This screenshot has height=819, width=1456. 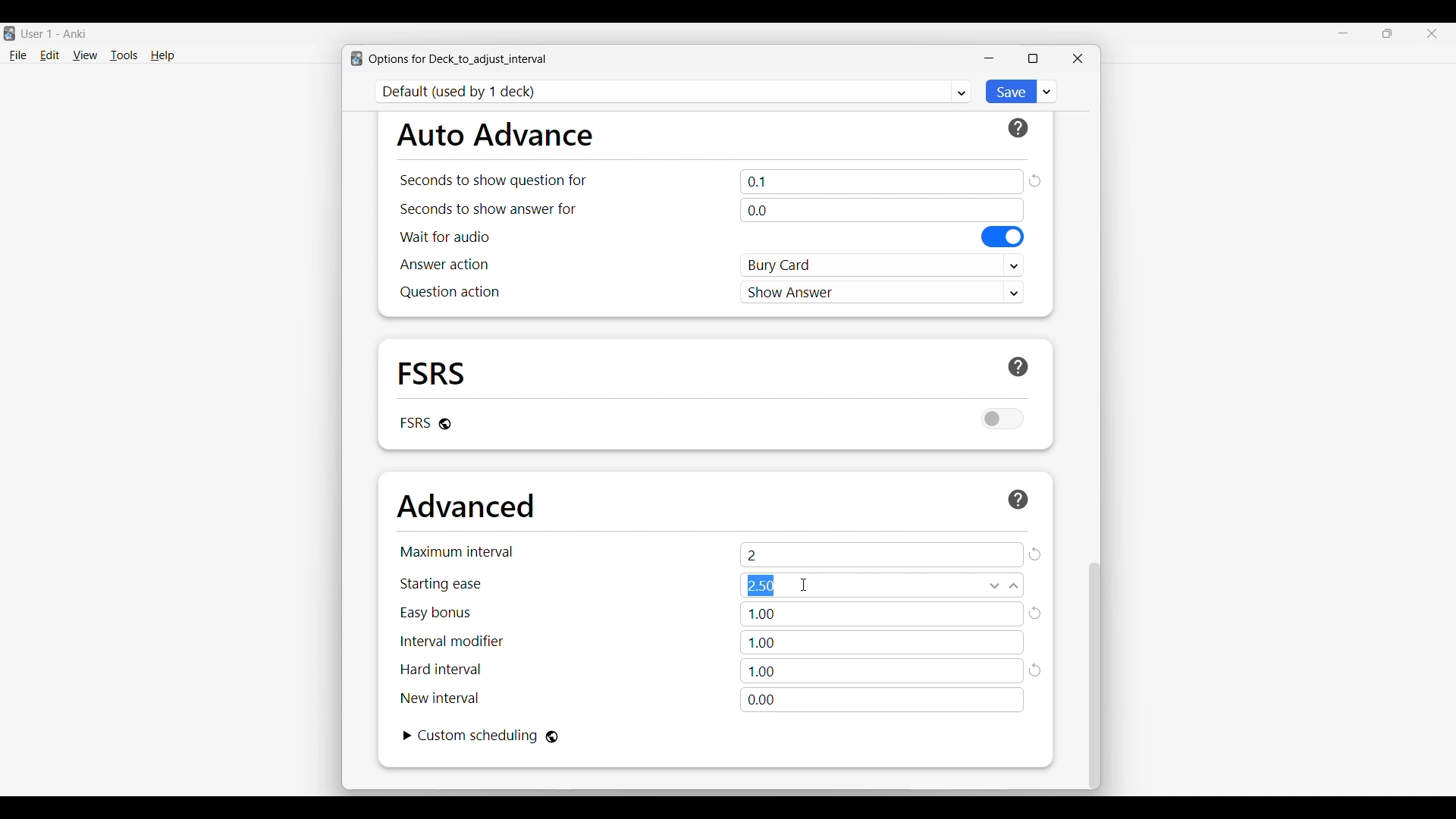 What do you see at coordinates (356, 58) in the screenshot?
I see `Software logo` at bounding box center [356, 58].